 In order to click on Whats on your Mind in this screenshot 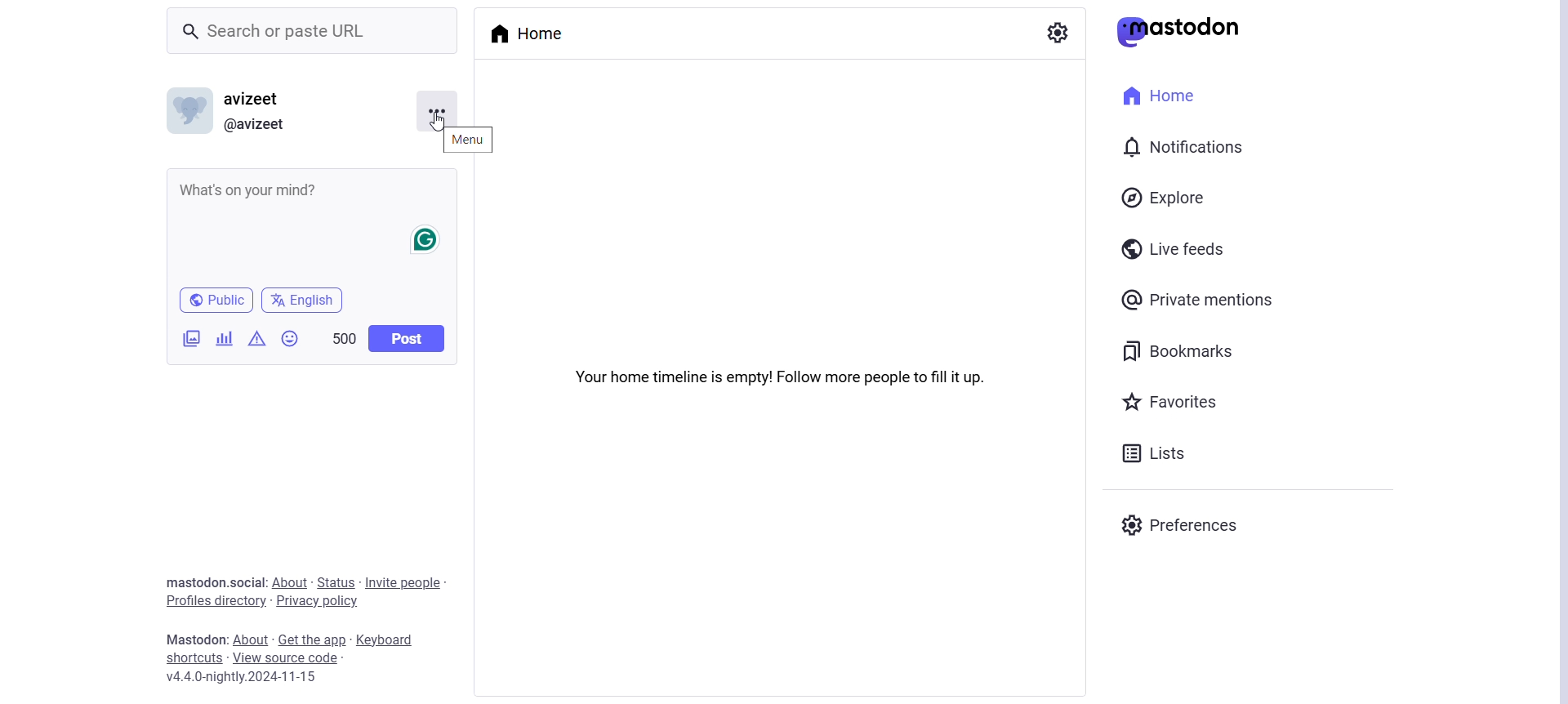, I will do `click(286, 225)`.